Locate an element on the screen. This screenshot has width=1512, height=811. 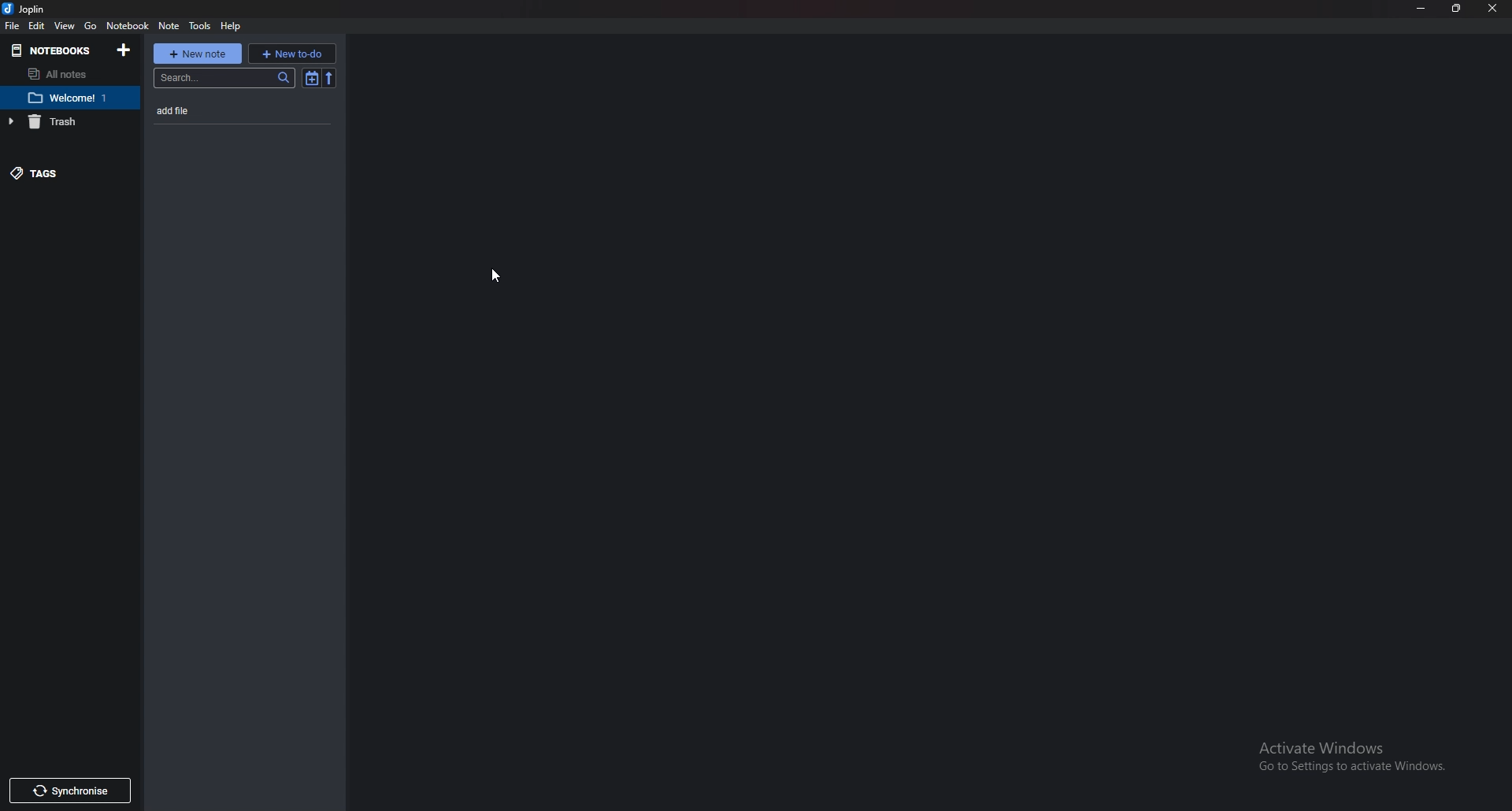
Cursor is located at coordinates (496, 277).